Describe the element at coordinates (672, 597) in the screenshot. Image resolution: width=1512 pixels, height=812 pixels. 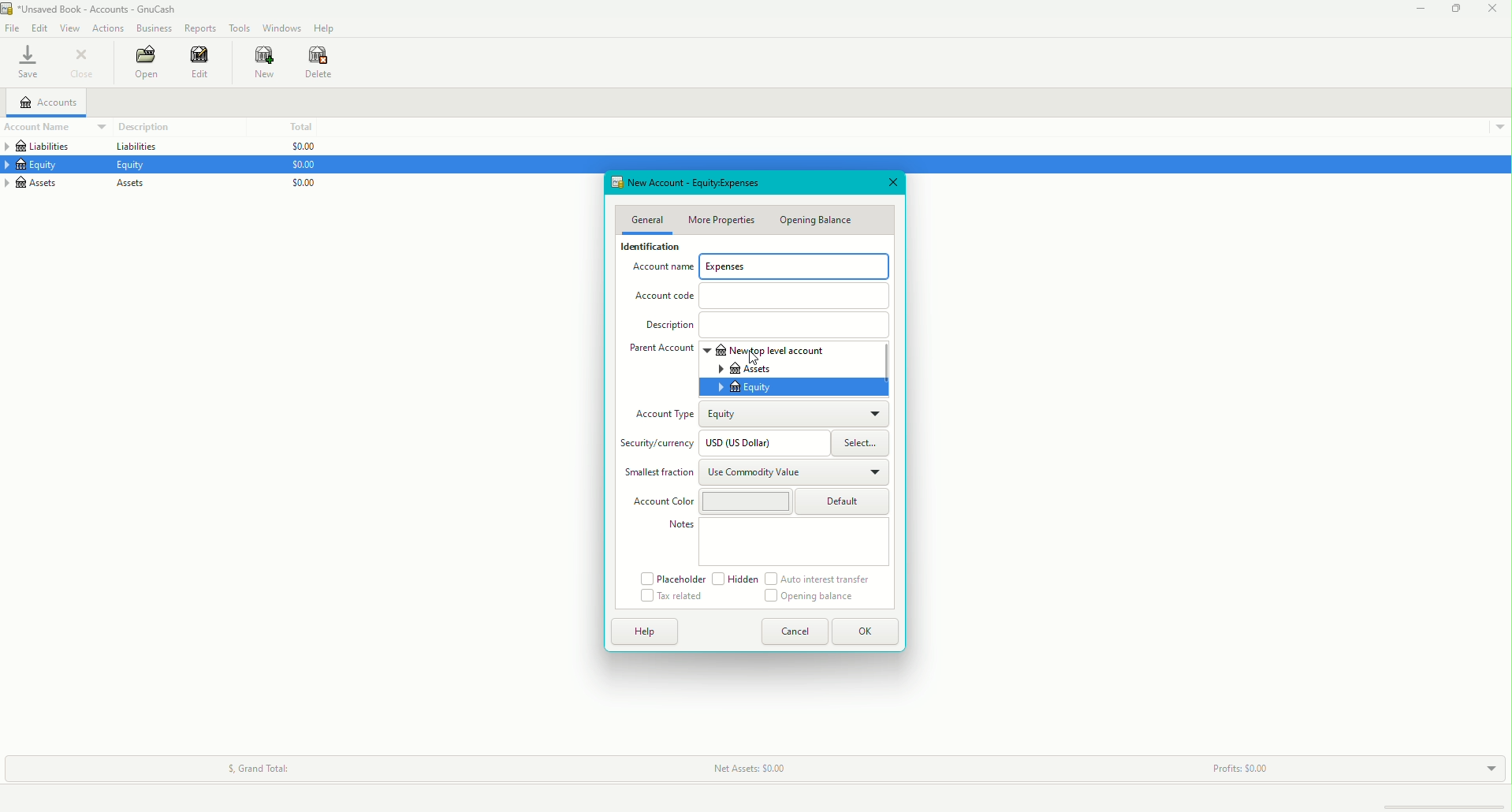
I see `Tax related` at that location.